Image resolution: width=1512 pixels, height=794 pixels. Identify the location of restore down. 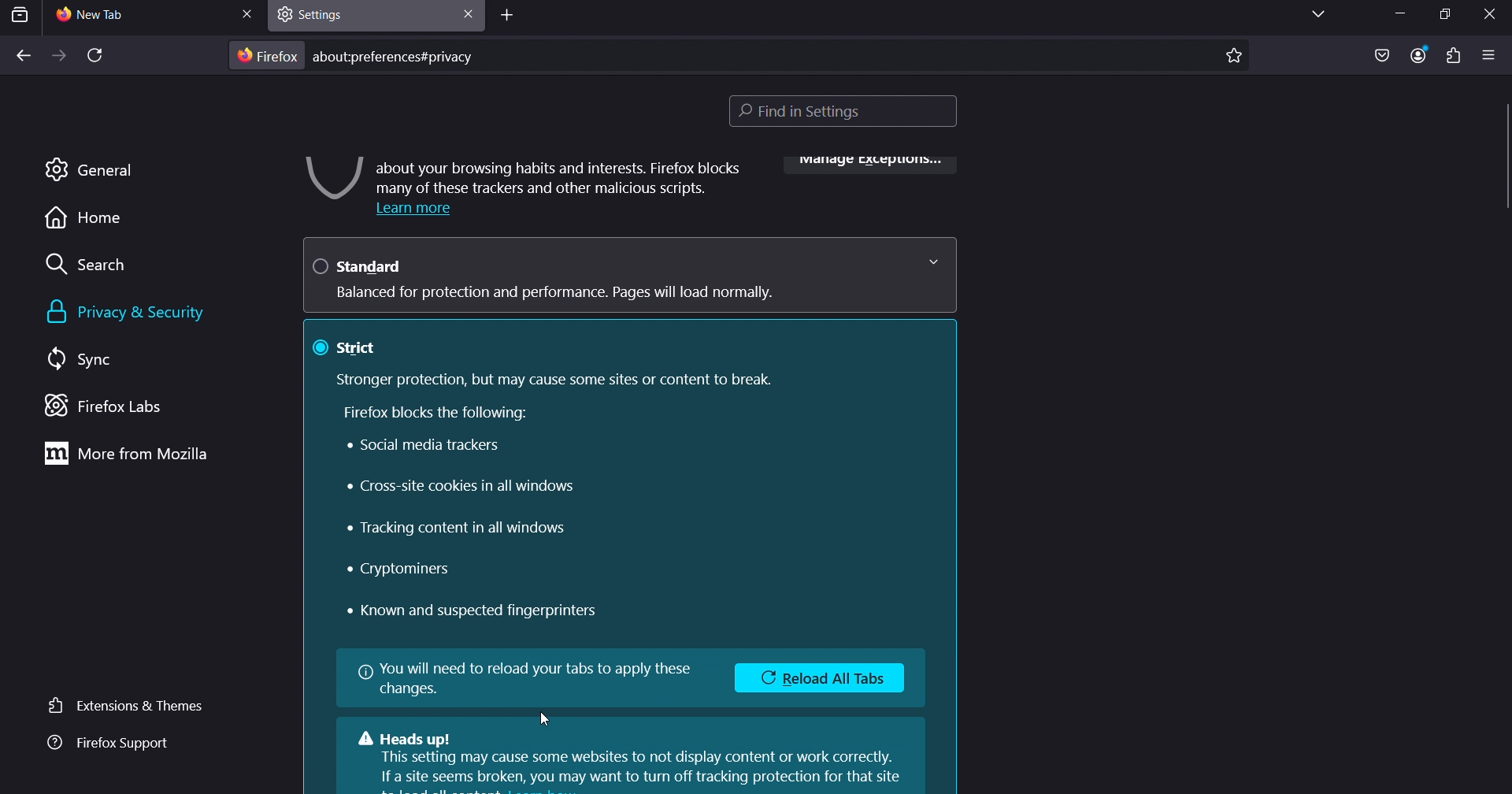
(1438, 14).